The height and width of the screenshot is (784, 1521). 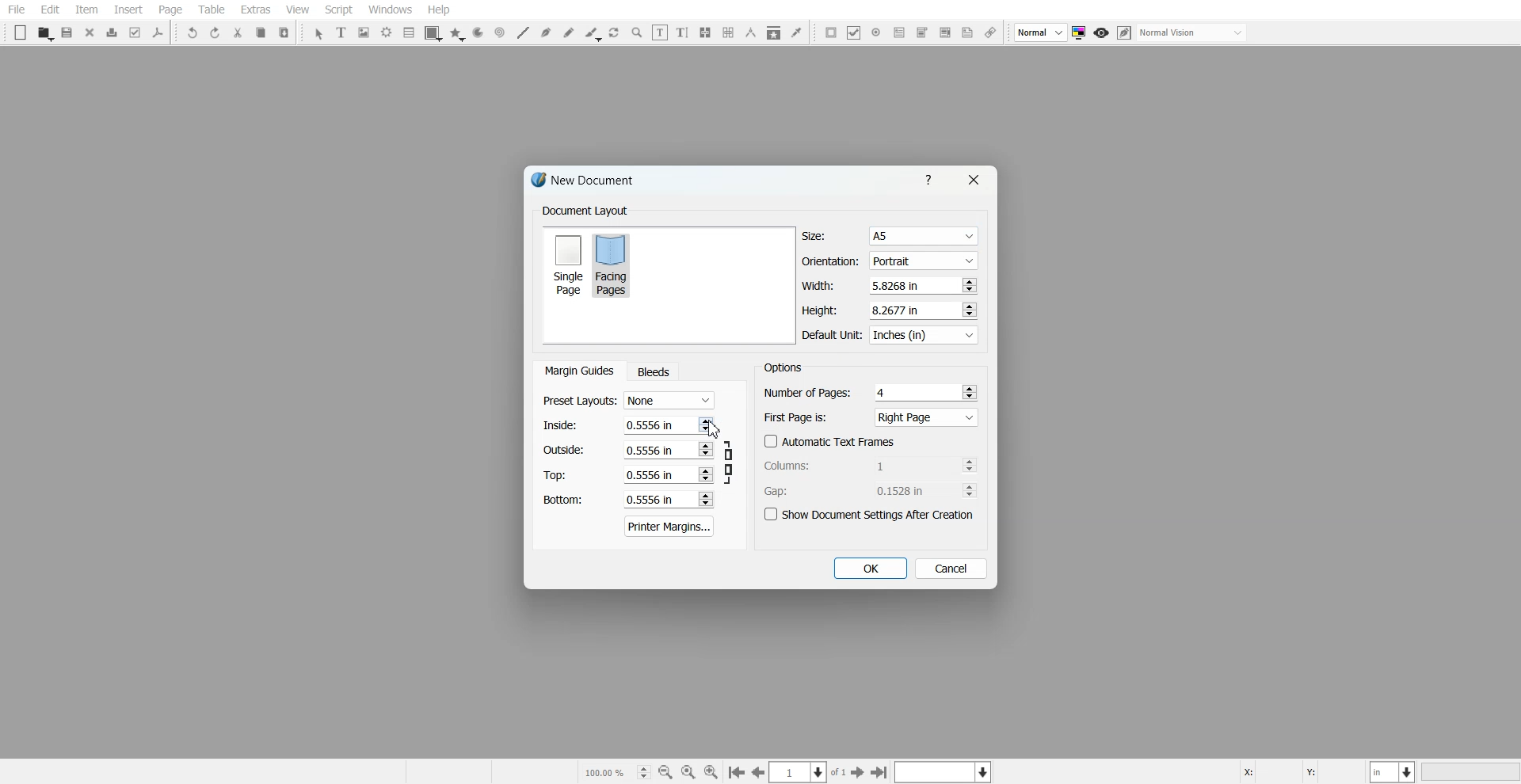 What do you see at coordinates (457, 34) in the screenshot?
I see `Polygon` at bounding box center [457, 34].